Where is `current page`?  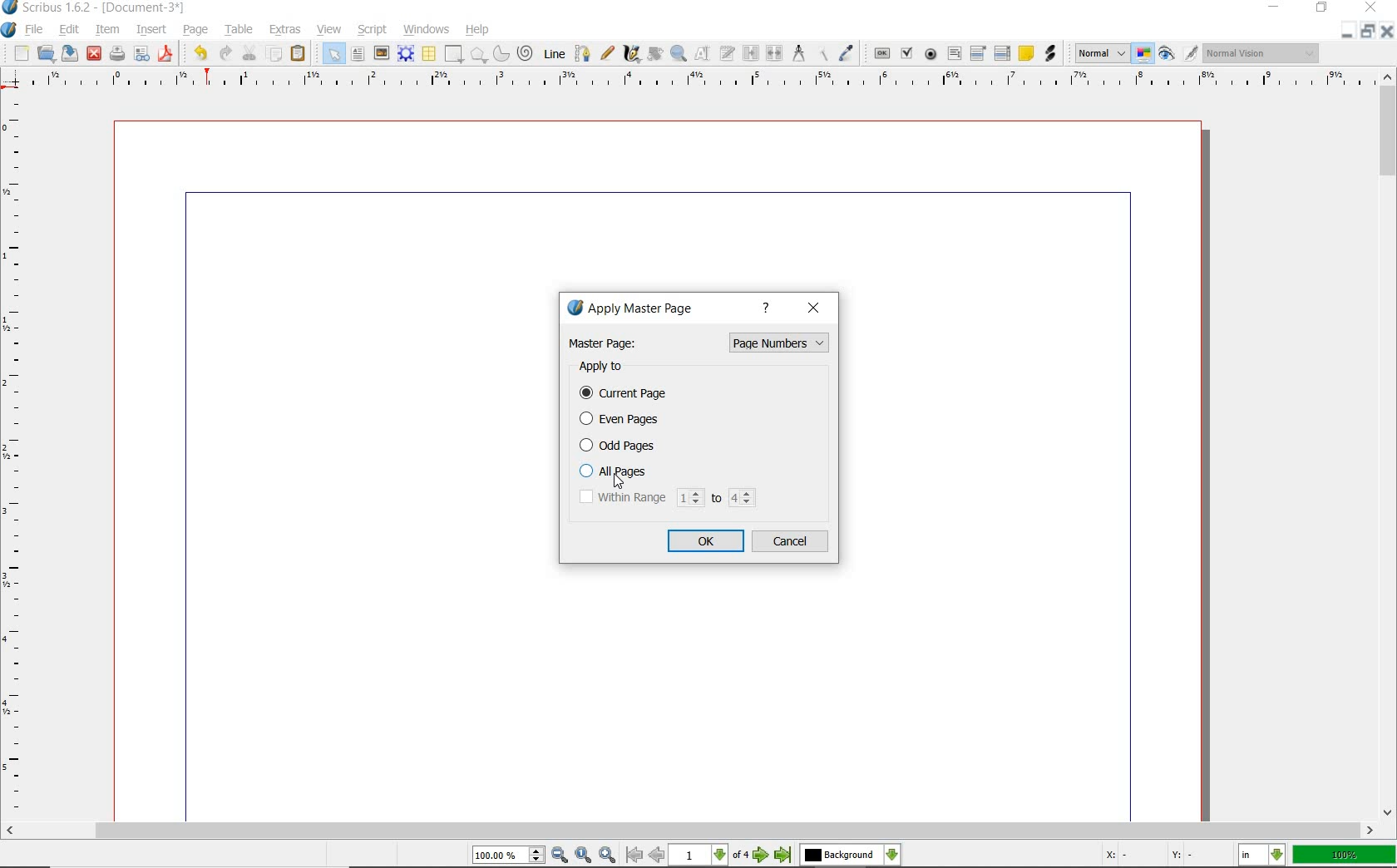
current page is located at coordinates (632, 394).